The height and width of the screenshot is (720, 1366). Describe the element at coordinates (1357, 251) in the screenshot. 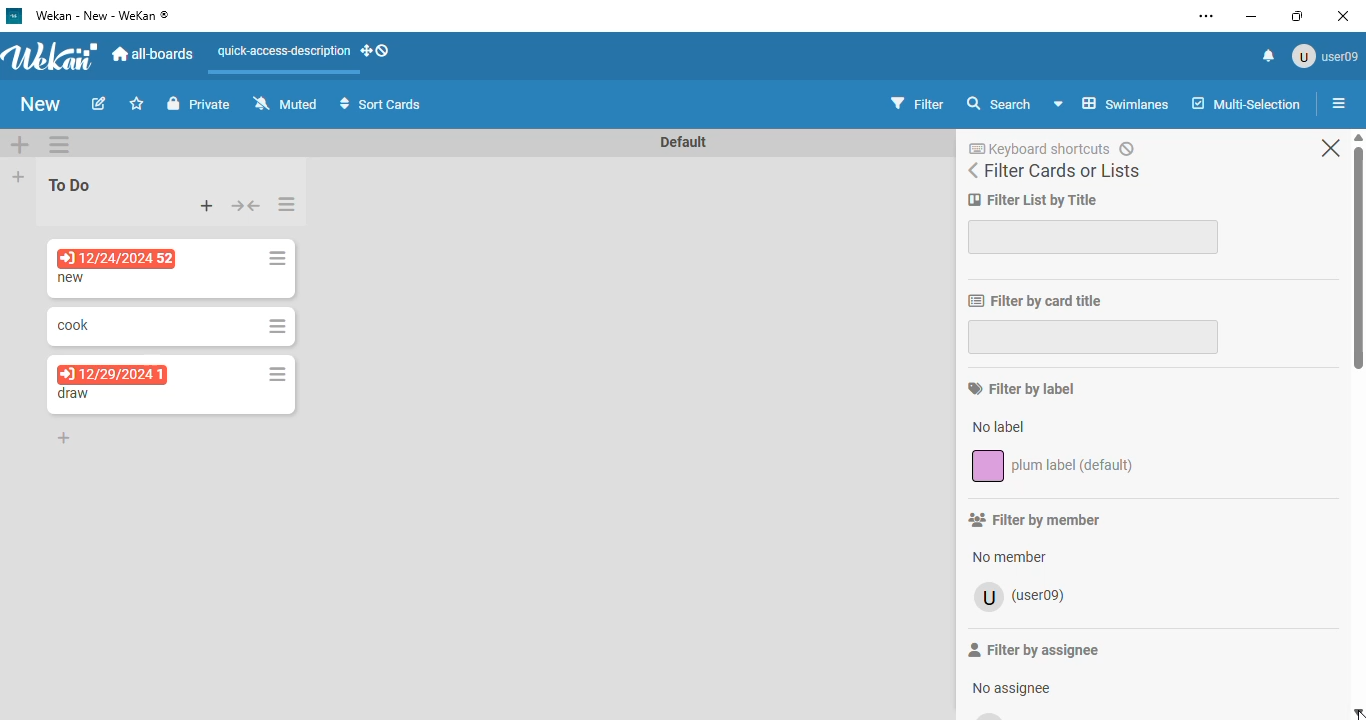

I see `vertical scroll bar` at that location.